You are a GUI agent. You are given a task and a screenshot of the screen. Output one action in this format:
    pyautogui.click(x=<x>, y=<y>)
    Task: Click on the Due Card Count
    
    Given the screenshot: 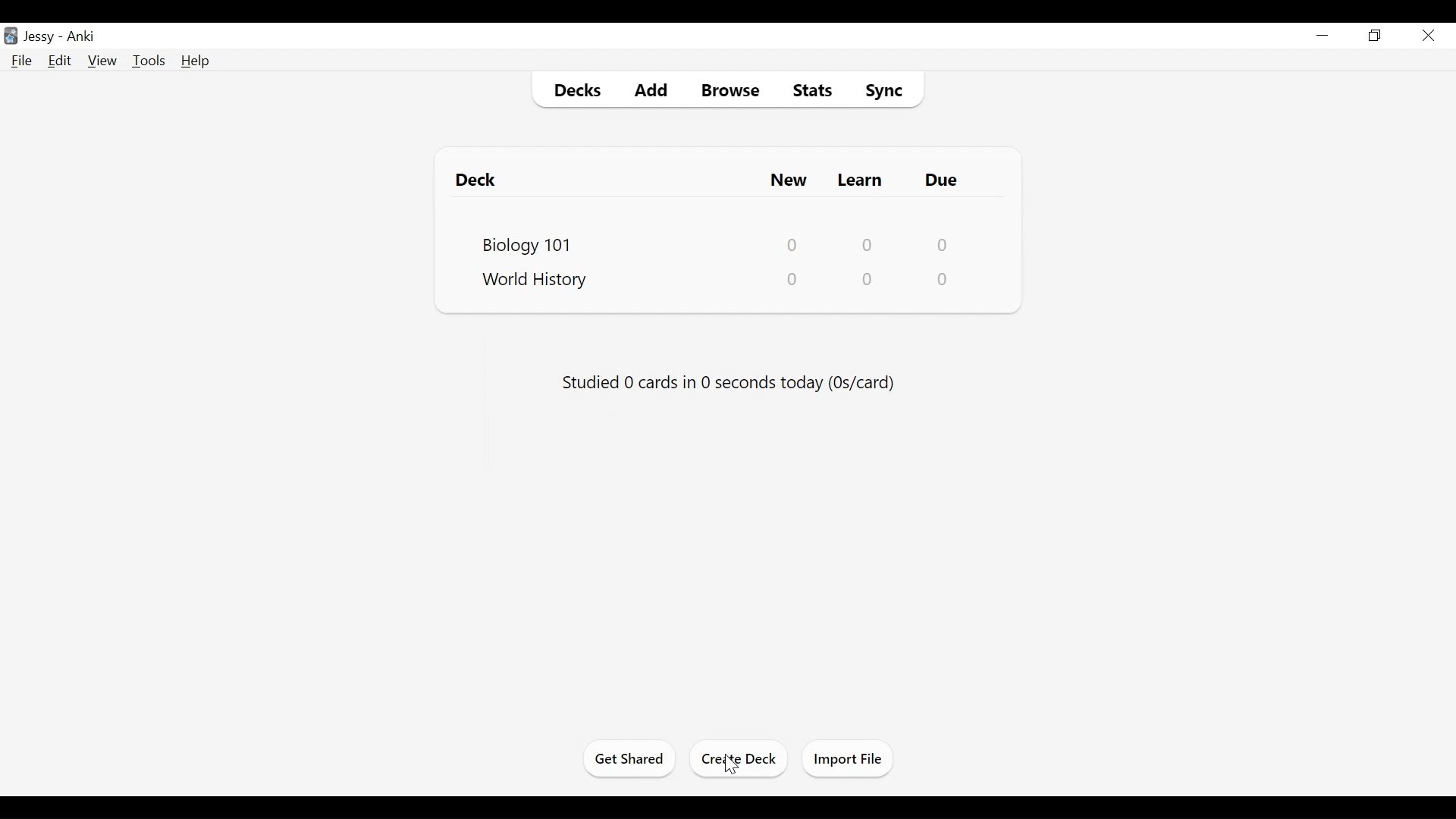 What is the action you would take?
    pyautogui.click(x=944, y=278)
    